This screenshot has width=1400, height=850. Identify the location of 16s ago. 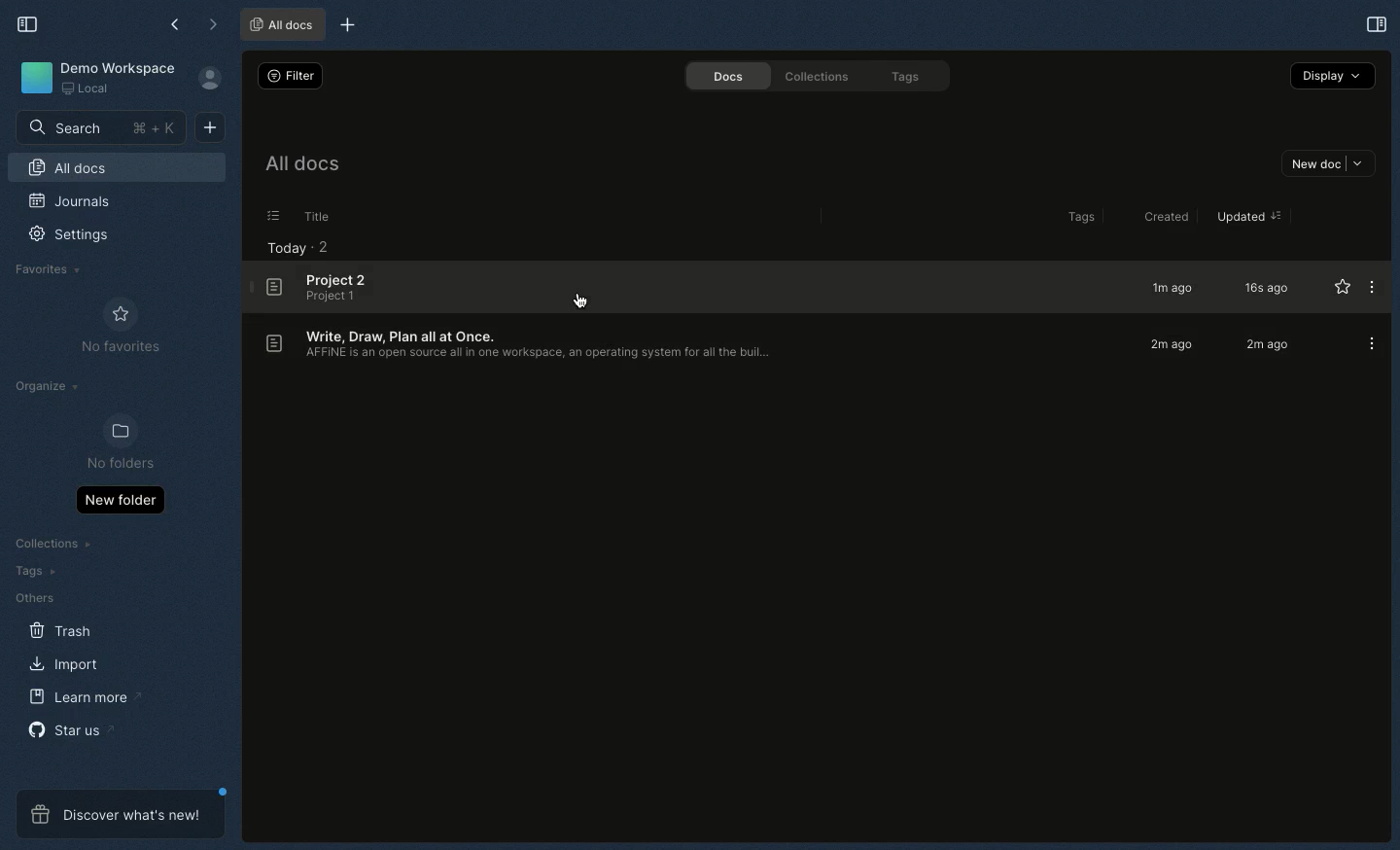
(1268, 290).